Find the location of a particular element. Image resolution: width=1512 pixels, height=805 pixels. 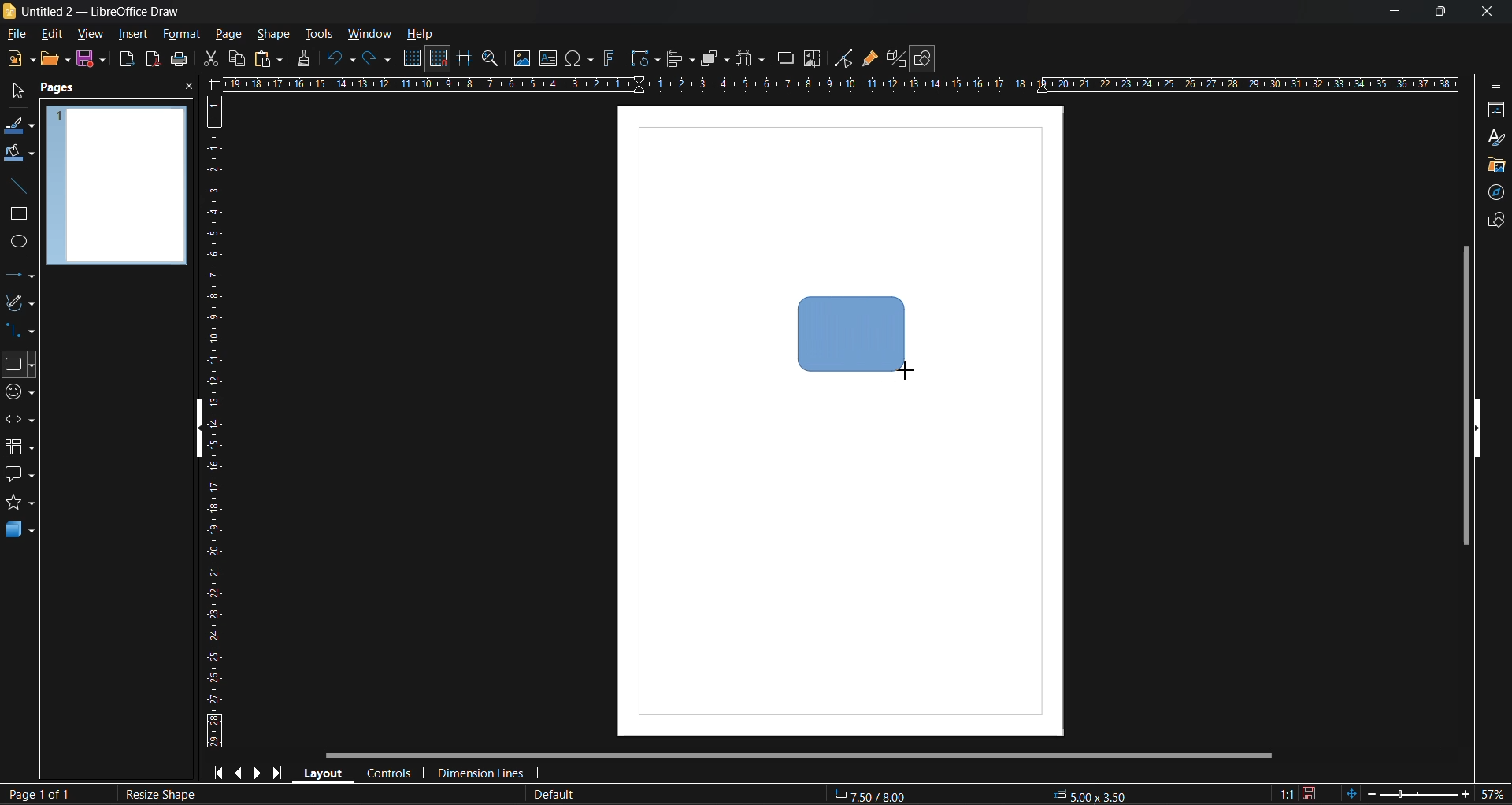

layout is located at coordinates (320, 772).